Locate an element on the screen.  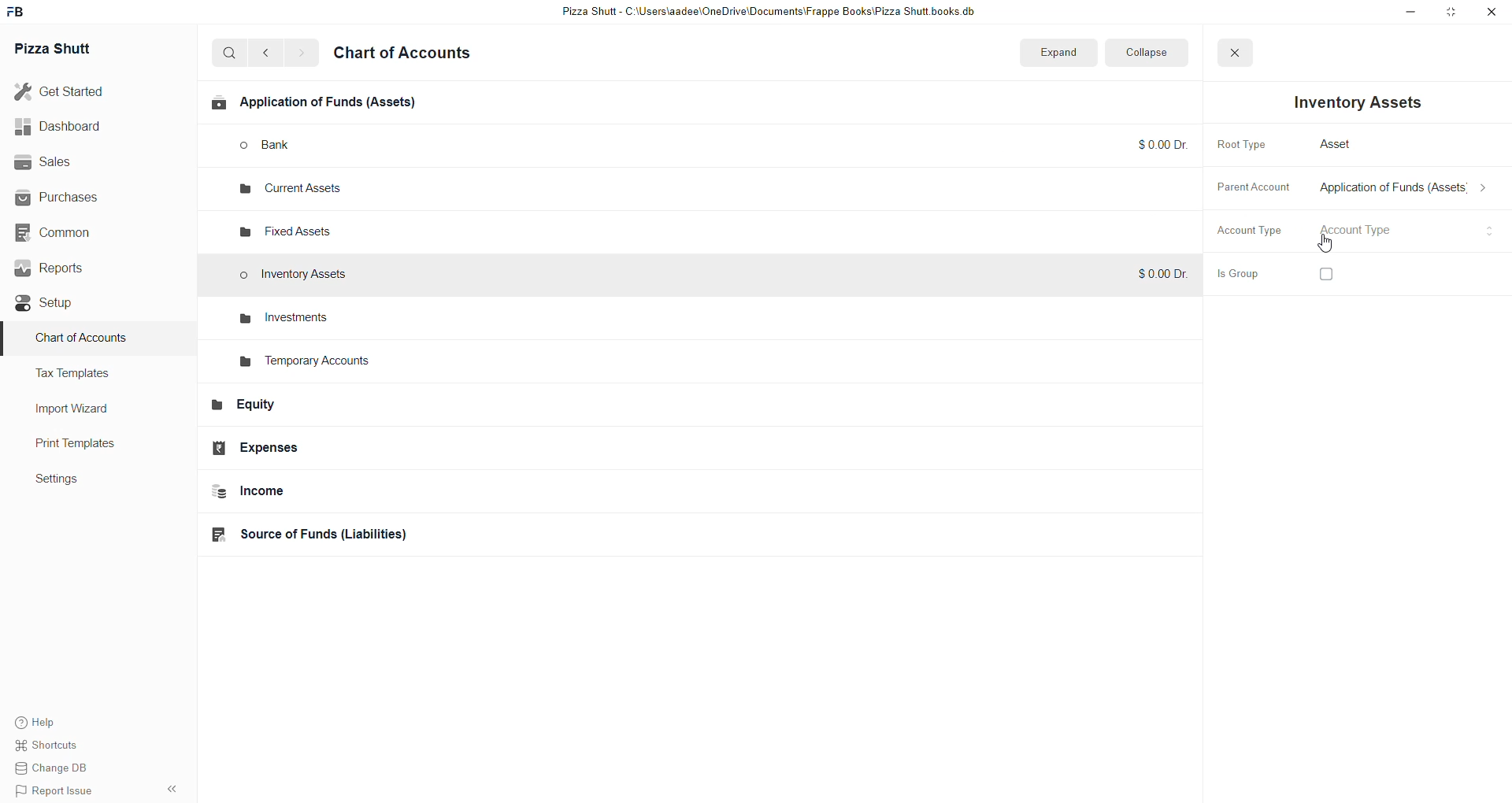
go back  is located at coordinates (269, 53).